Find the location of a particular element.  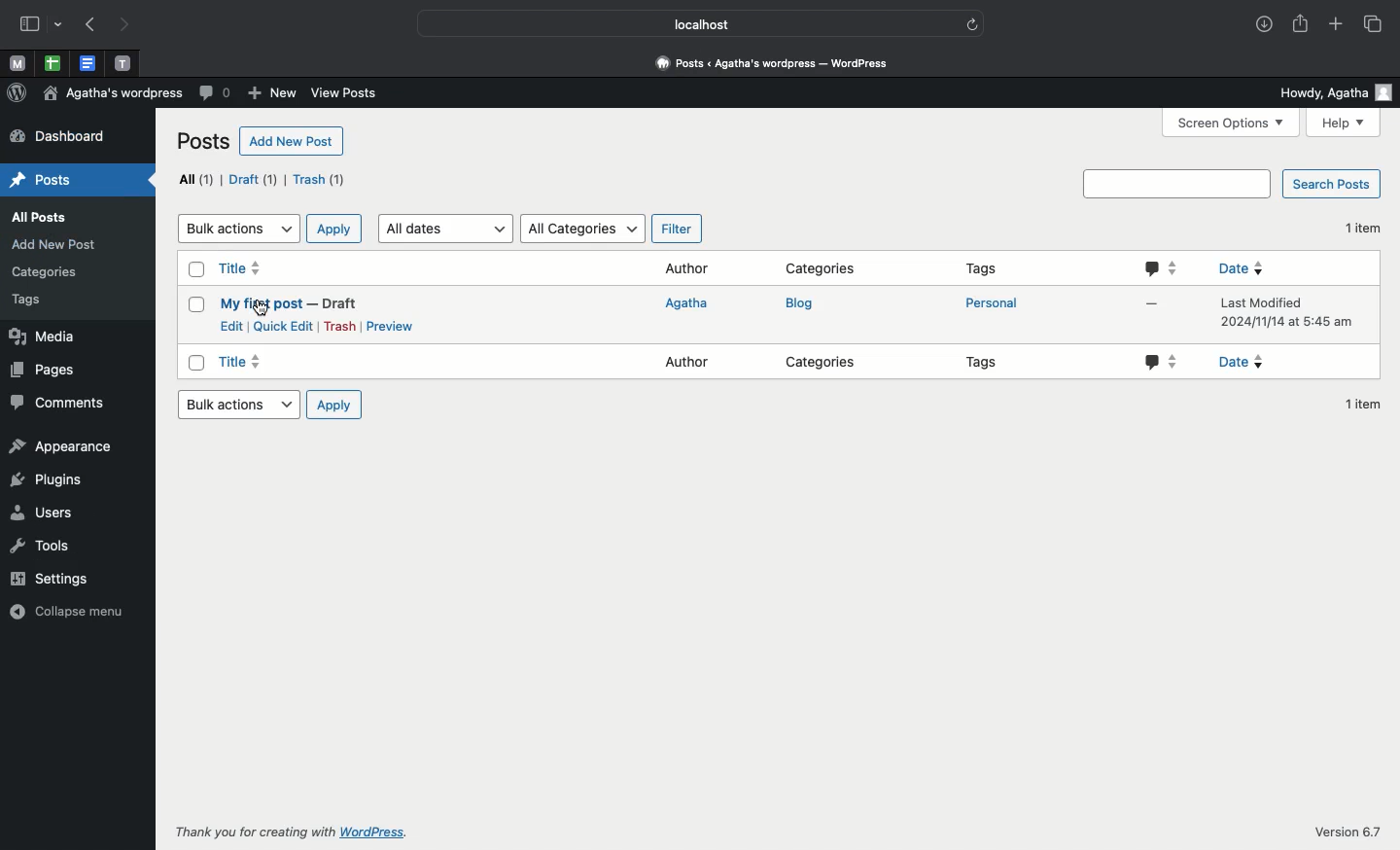

Date is located at coordinates (1247, 268).